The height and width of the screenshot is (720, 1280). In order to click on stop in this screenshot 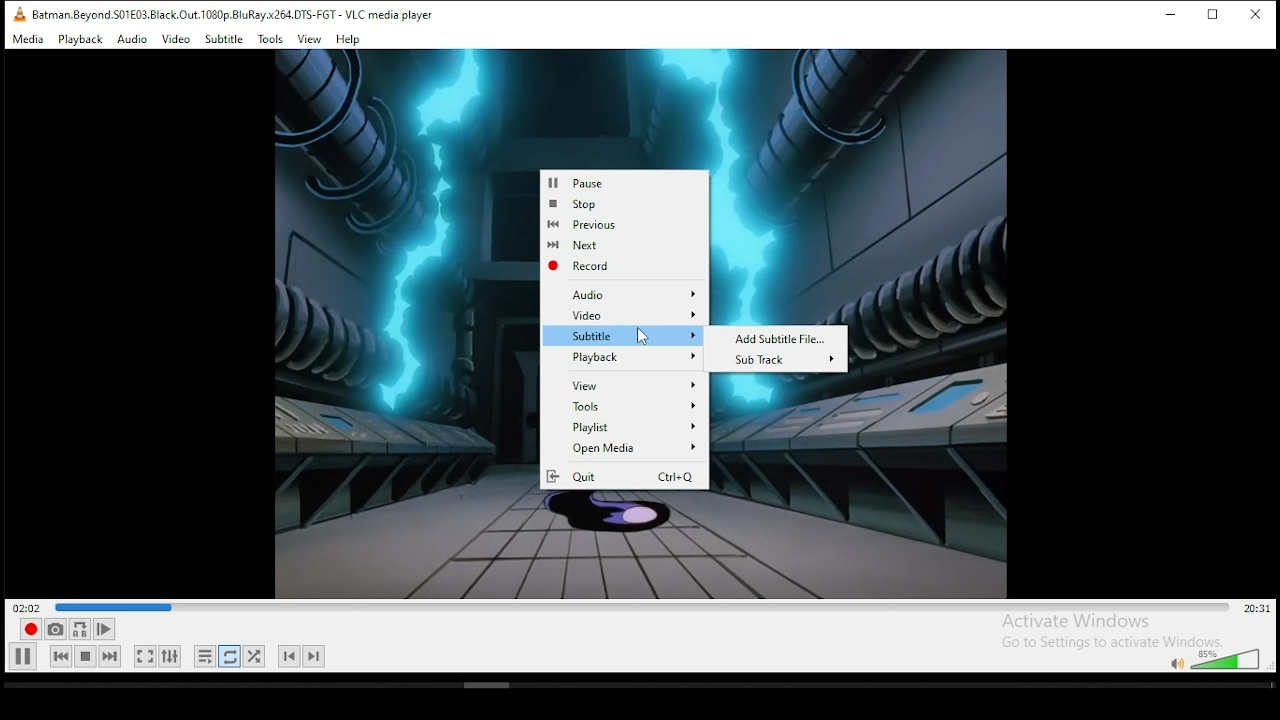, I will do `click(617, 204)`.